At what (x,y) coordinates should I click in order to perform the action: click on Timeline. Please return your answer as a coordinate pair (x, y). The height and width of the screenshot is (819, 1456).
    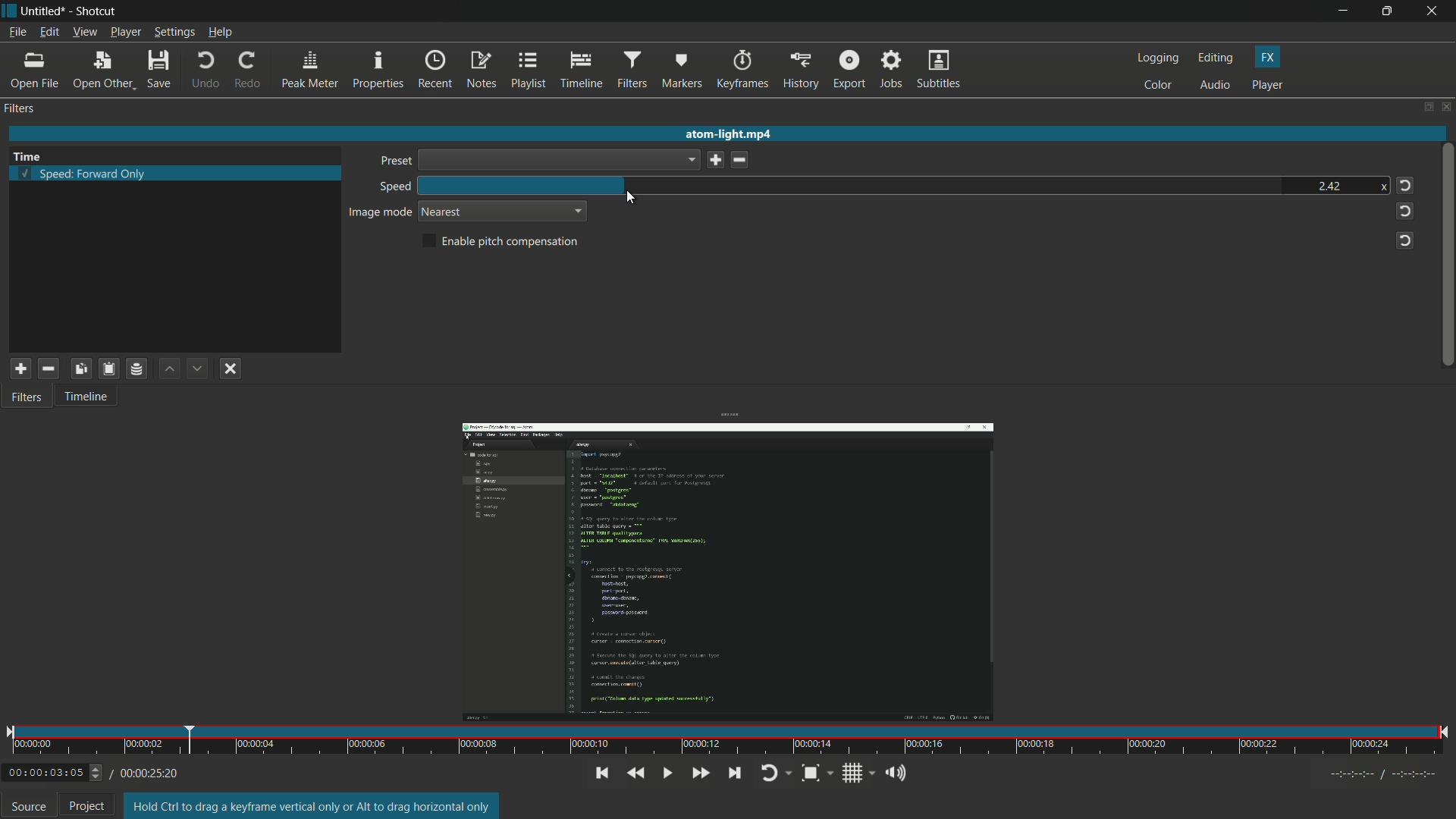
    Looking at the image, I should click on (94, 399).